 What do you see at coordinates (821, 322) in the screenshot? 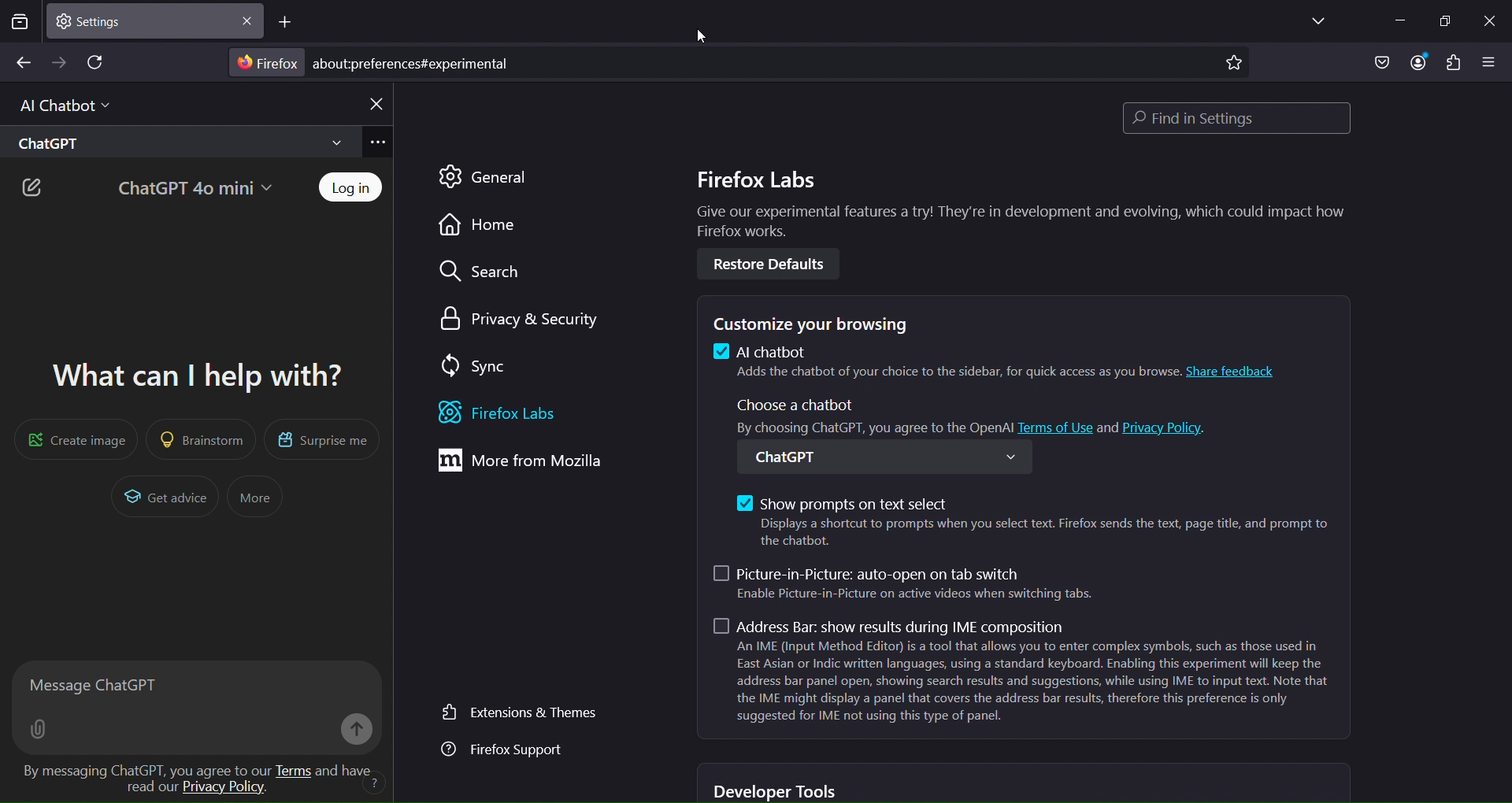
I see `customize your browsing` at bounding box center [821, 322].